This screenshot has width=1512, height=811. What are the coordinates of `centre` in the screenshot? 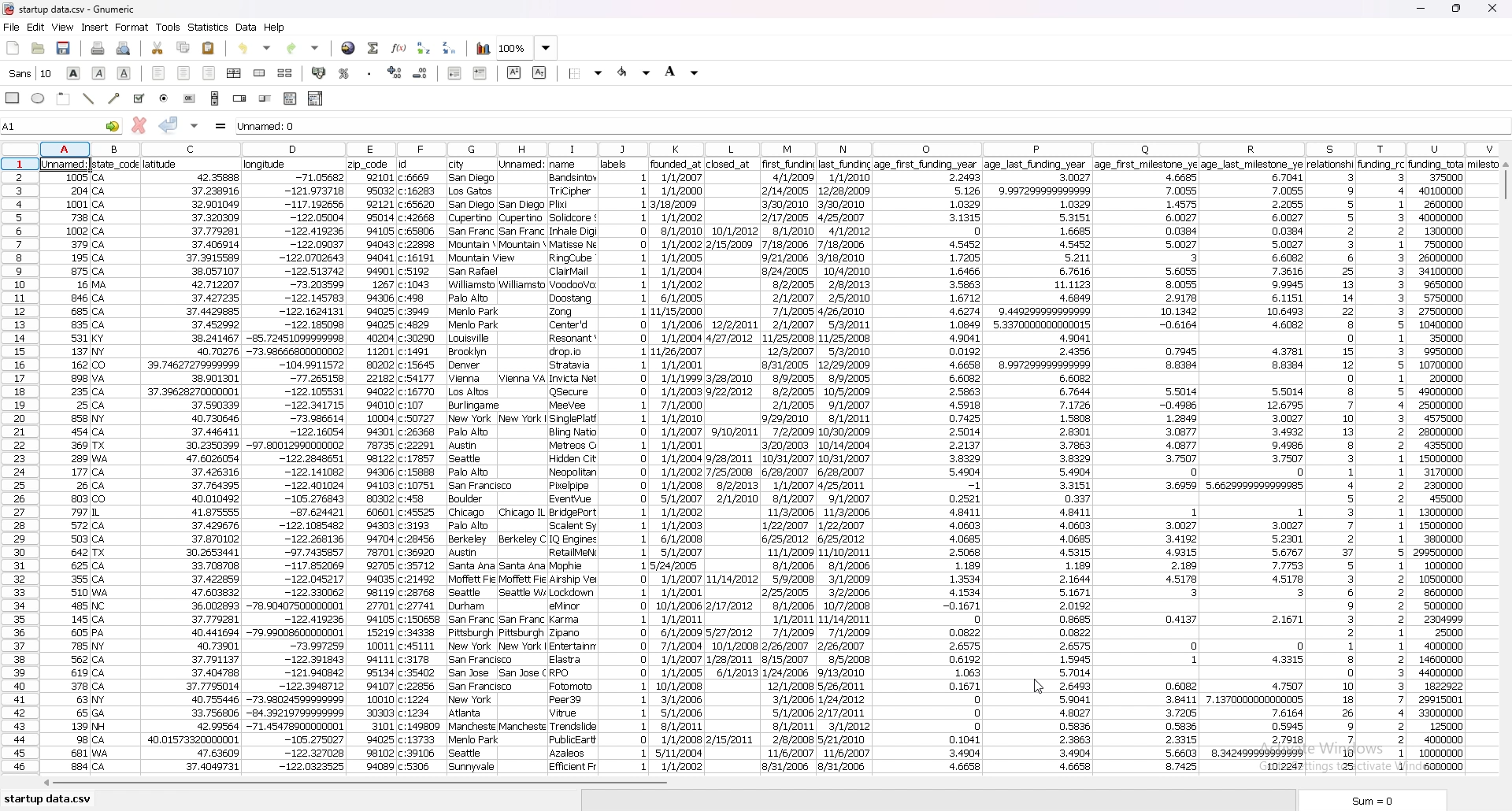 It's located at (183, 72).